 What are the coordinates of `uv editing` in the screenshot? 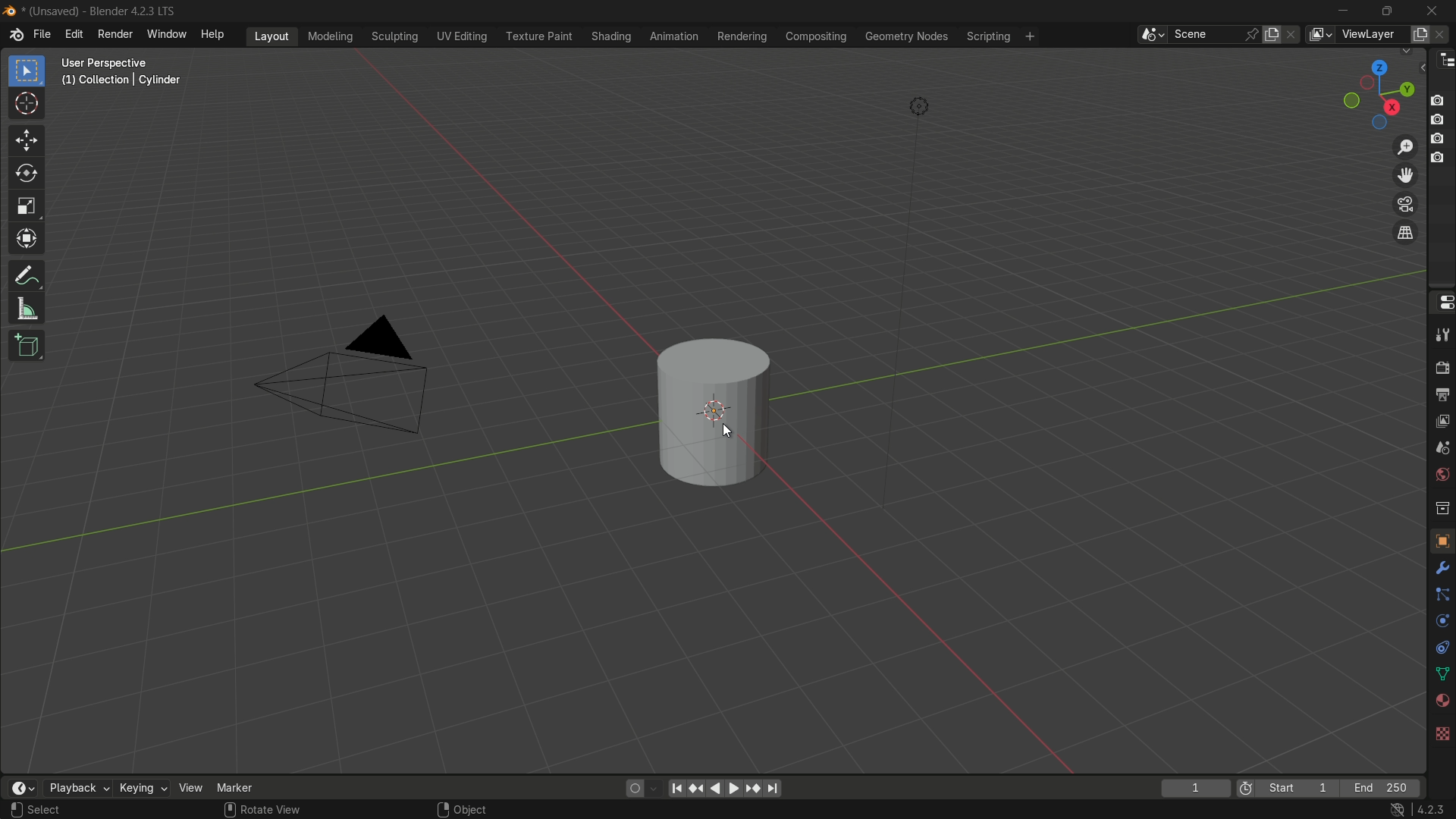 It's located at (461, 36).